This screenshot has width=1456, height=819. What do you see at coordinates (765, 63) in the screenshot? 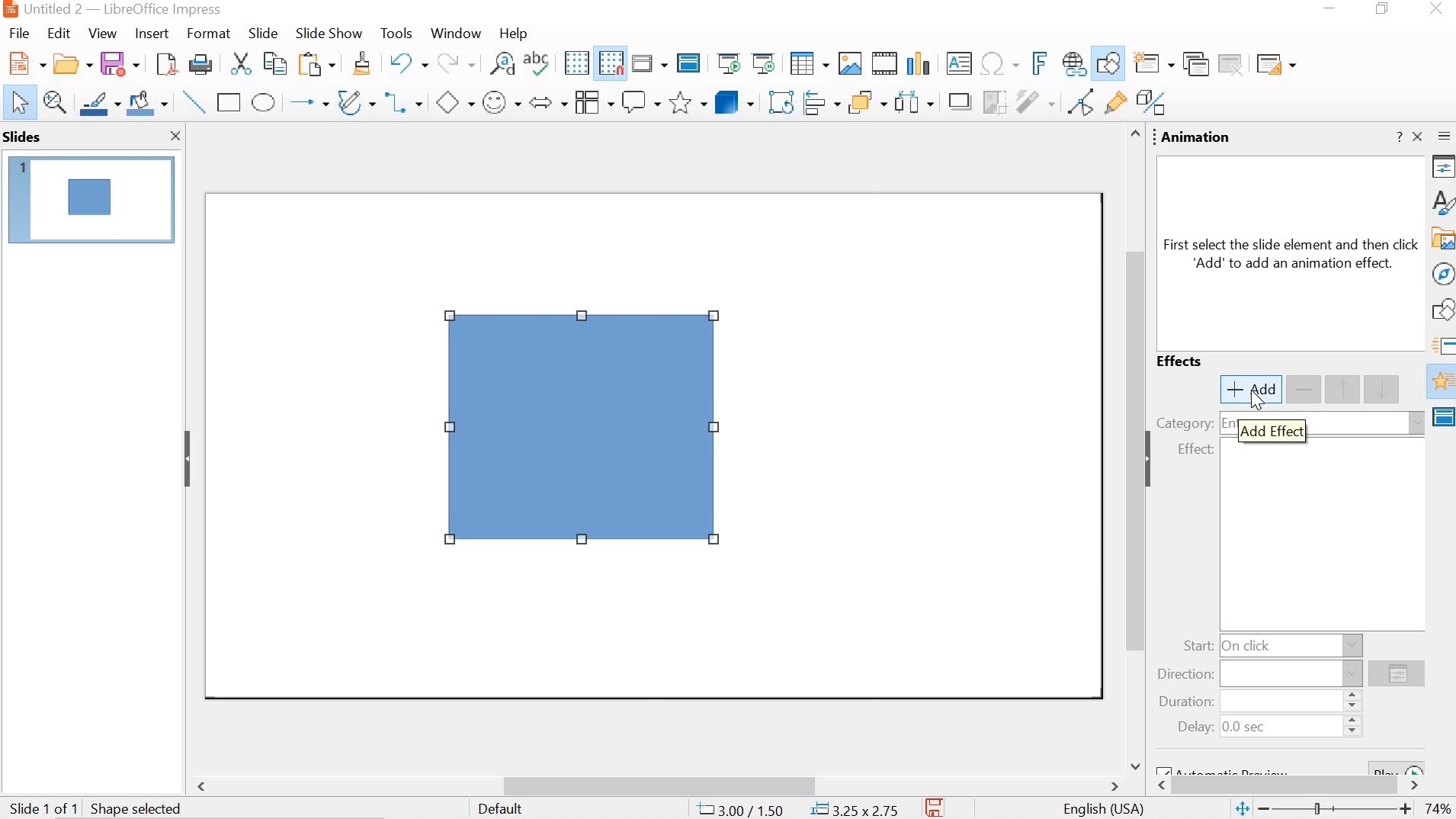
I see `start from current slide` at bounding box center [765, 63].